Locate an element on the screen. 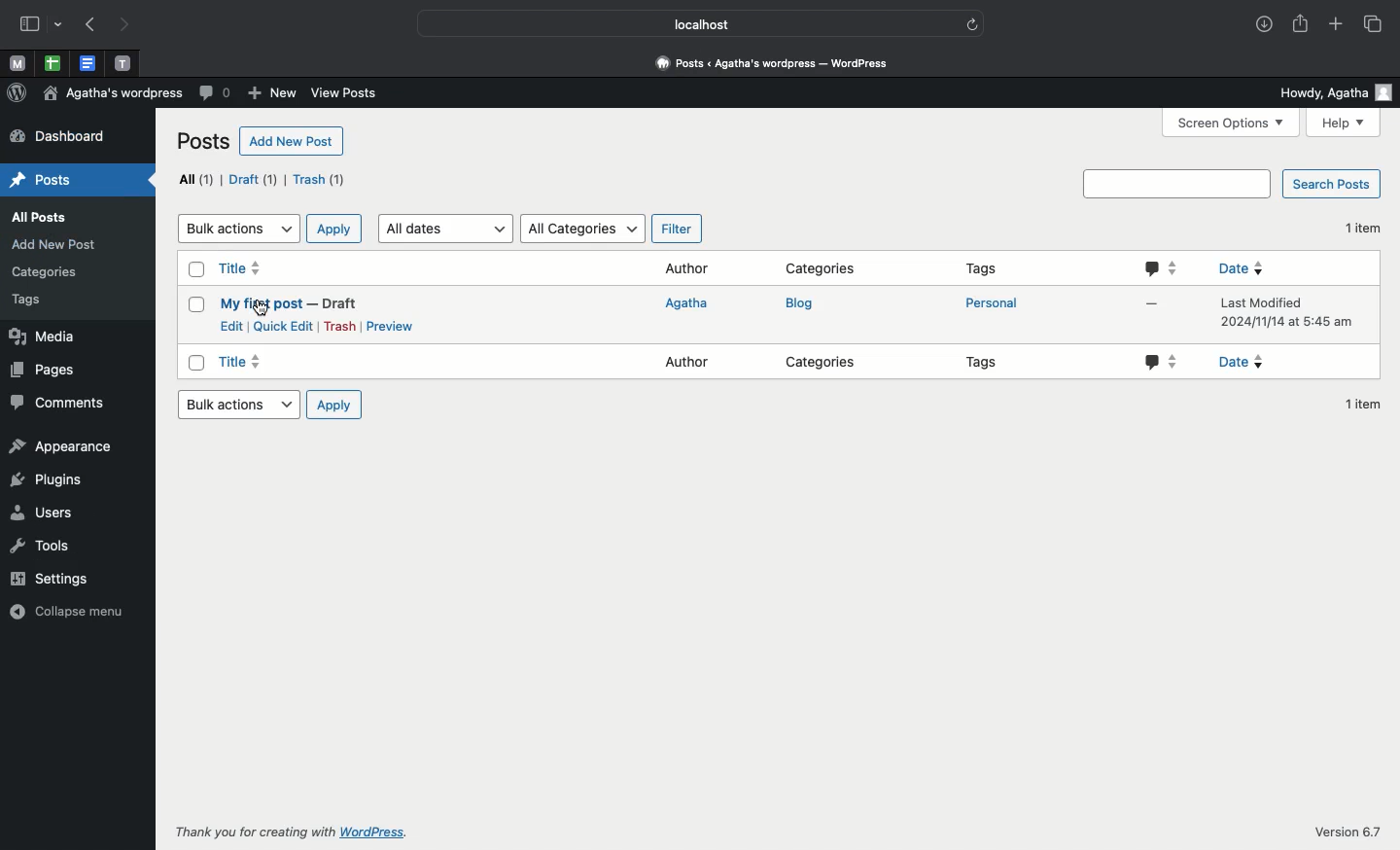 The width and height of the screenshot is (1400, 850). Quick edit is located at coordinates (284, 326).